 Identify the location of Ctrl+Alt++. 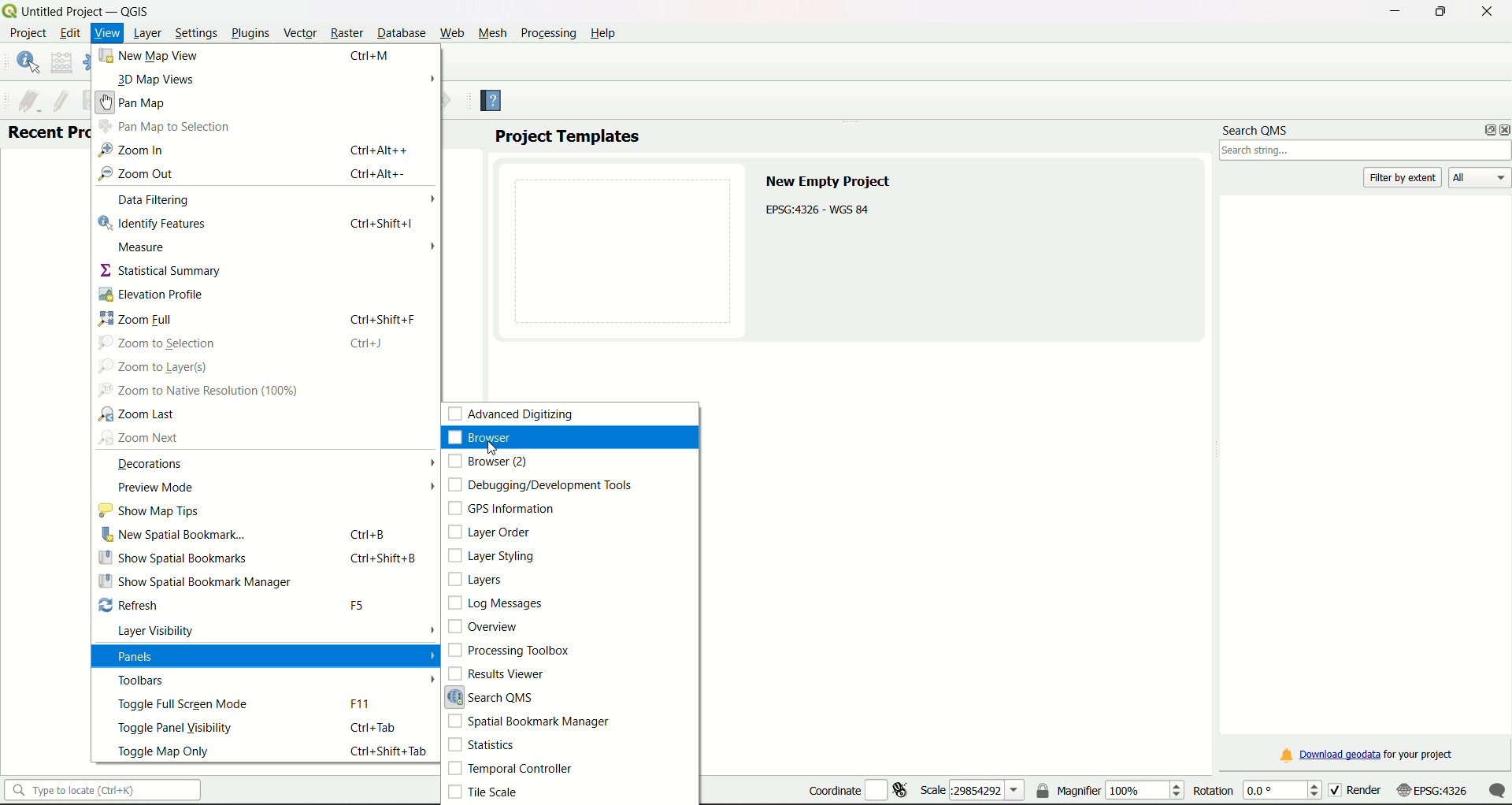
(380, 150).